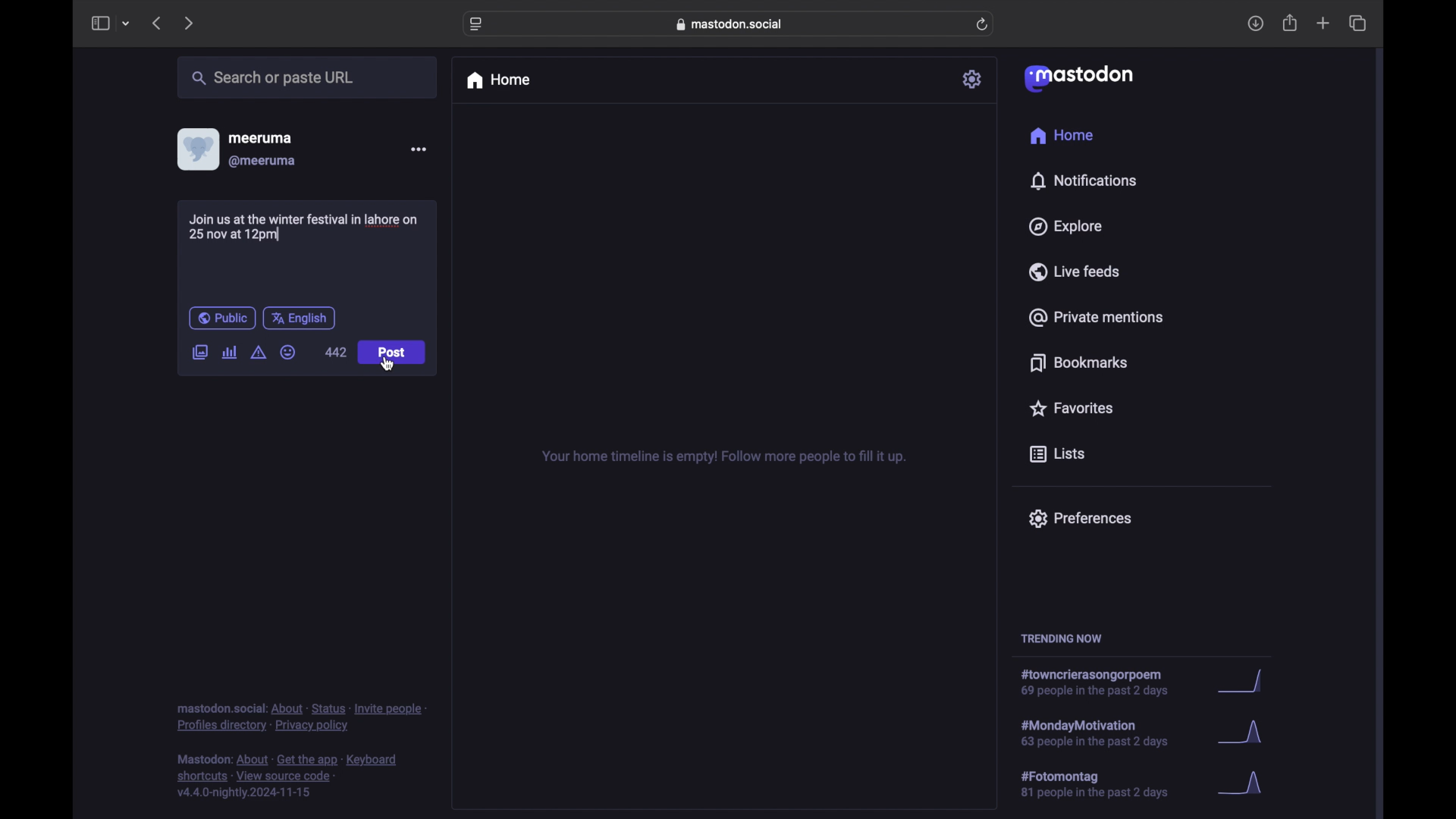 The width and height of the screenshot is (1456, 819). Describe the element at coordinates (290, 777) in the screenshot. I see `footnote` at that location.